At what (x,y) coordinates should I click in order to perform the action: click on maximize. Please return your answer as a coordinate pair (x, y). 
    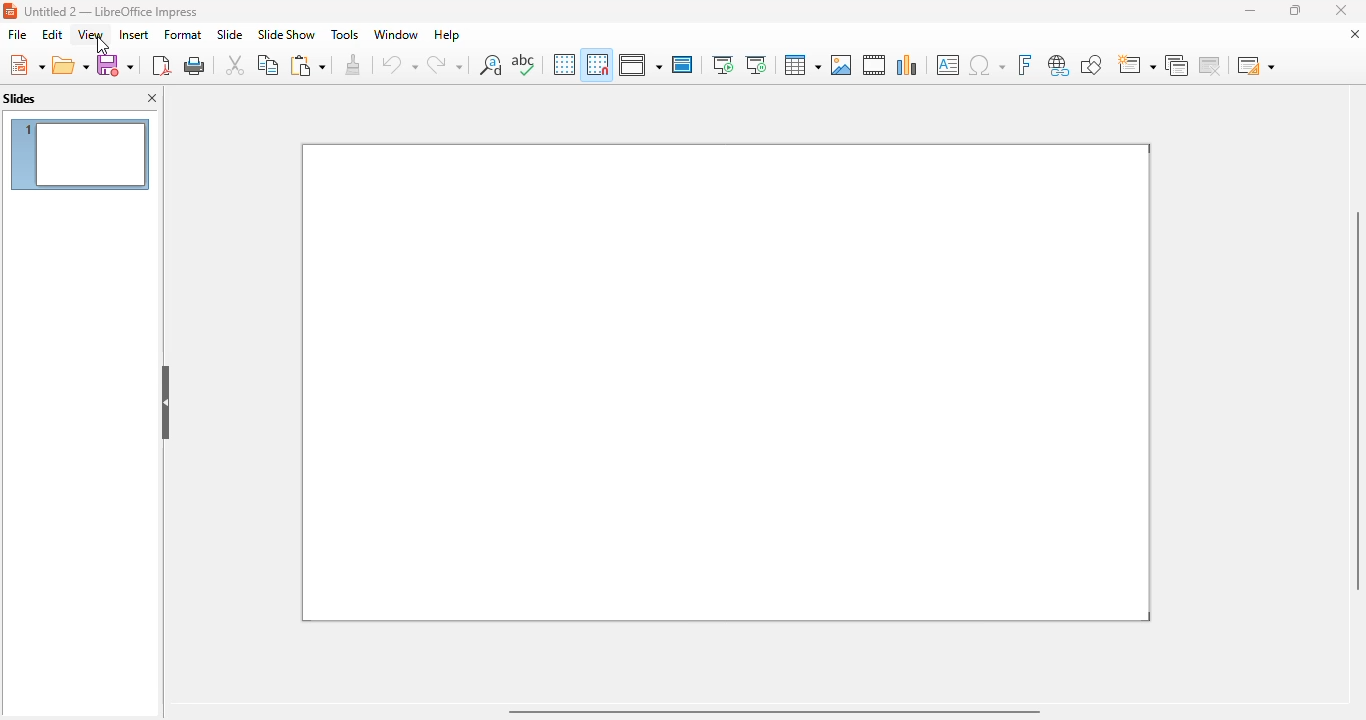
    Looking at the image, I should click on (1296, 10).